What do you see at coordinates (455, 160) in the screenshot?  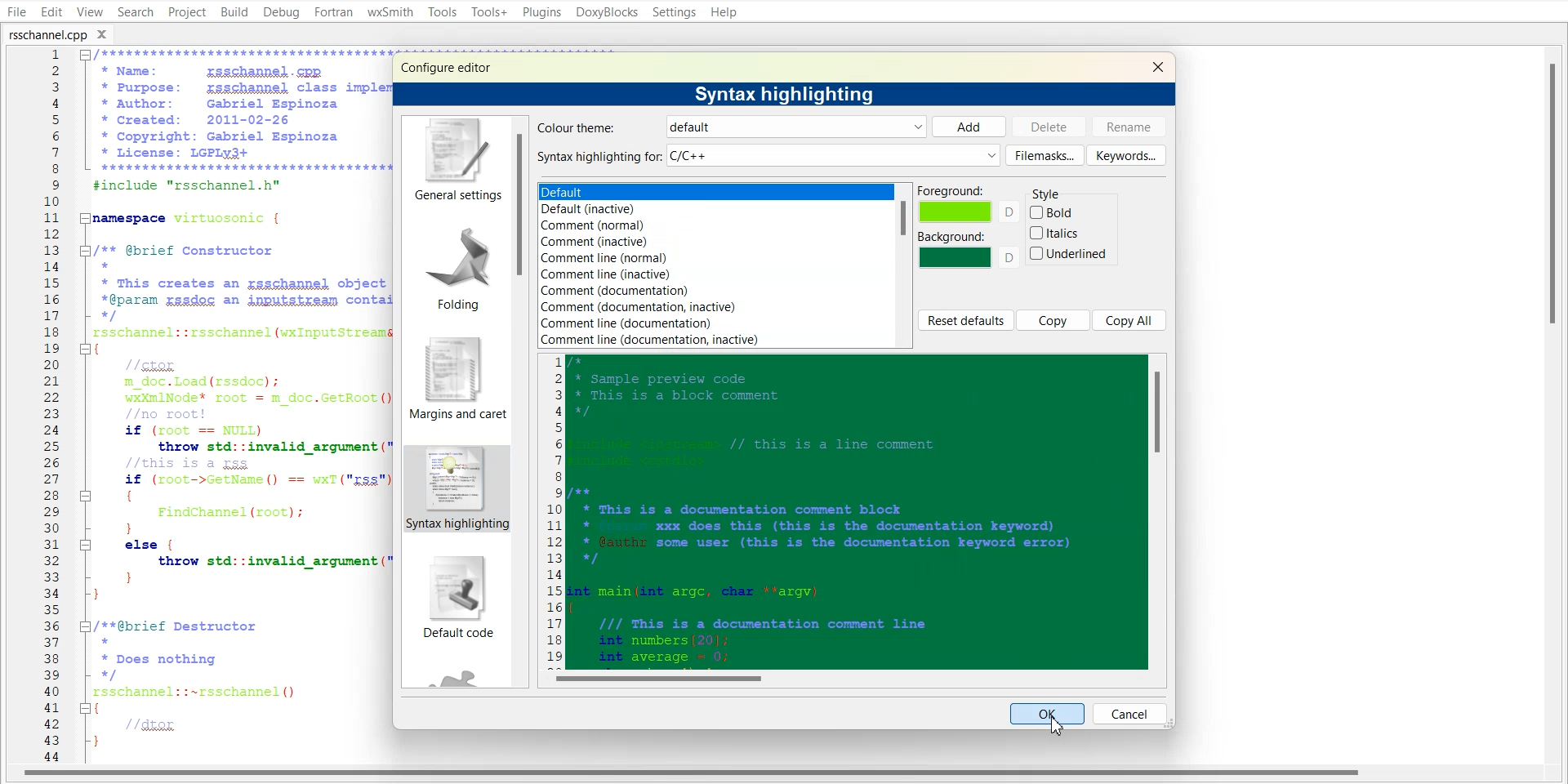 I see `General settings` at bounding box center [455, 160].